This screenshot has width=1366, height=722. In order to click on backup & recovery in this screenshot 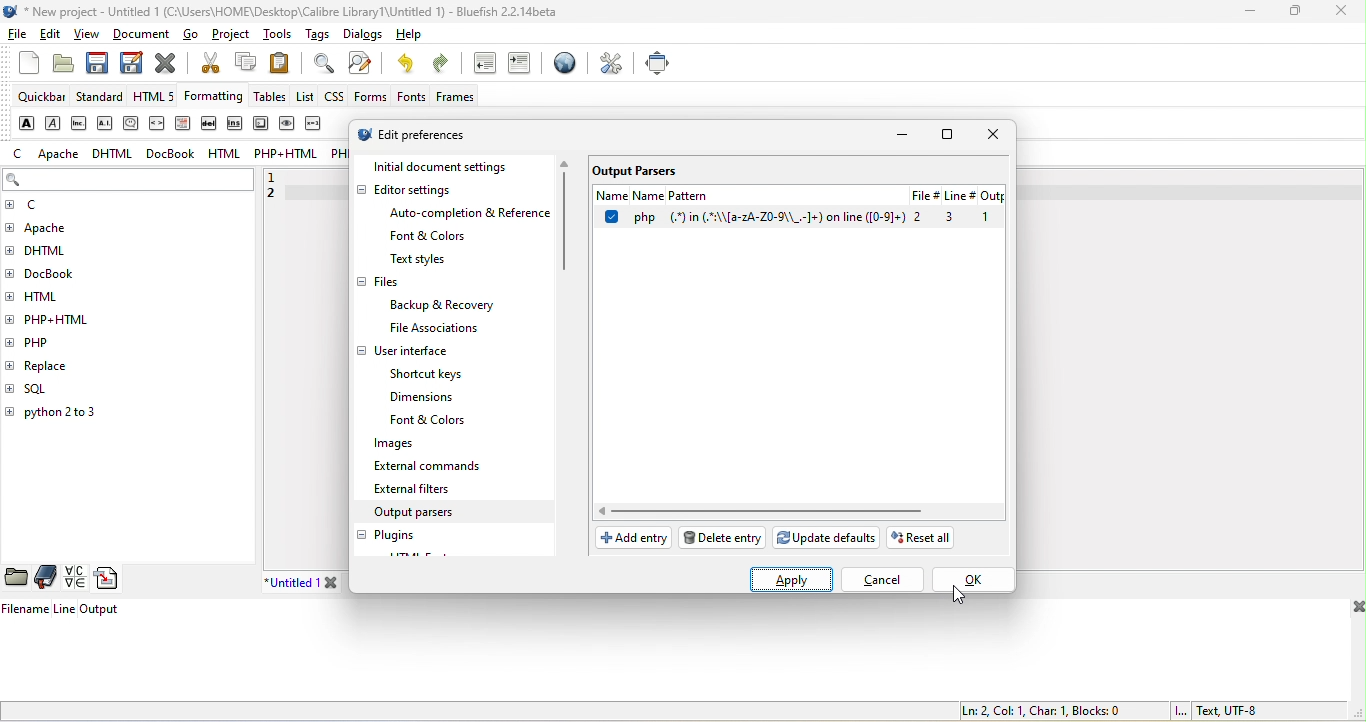, I will do `click(448, 305)`.